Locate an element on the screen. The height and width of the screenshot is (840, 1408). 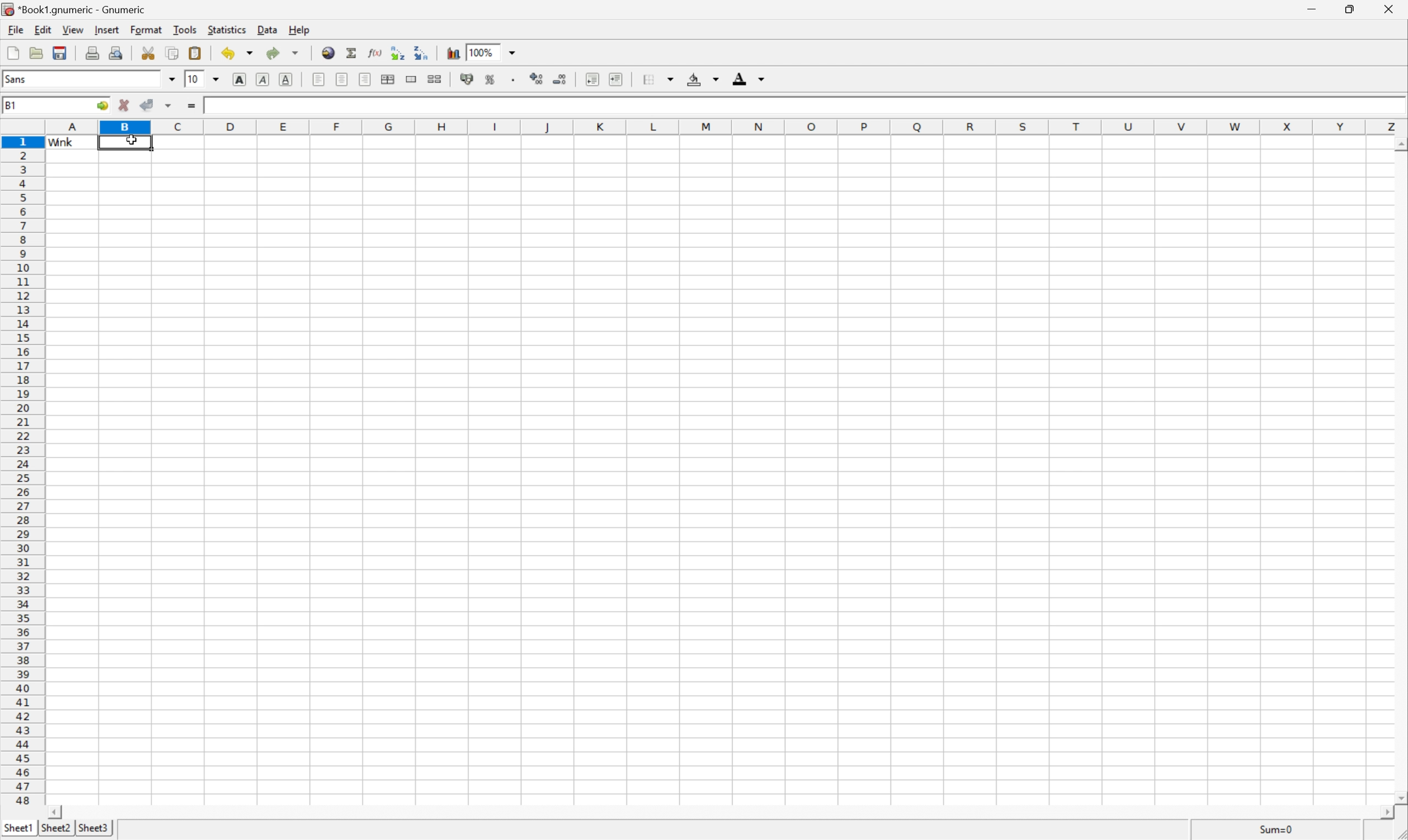
tools is located at coordinates (183, 31).